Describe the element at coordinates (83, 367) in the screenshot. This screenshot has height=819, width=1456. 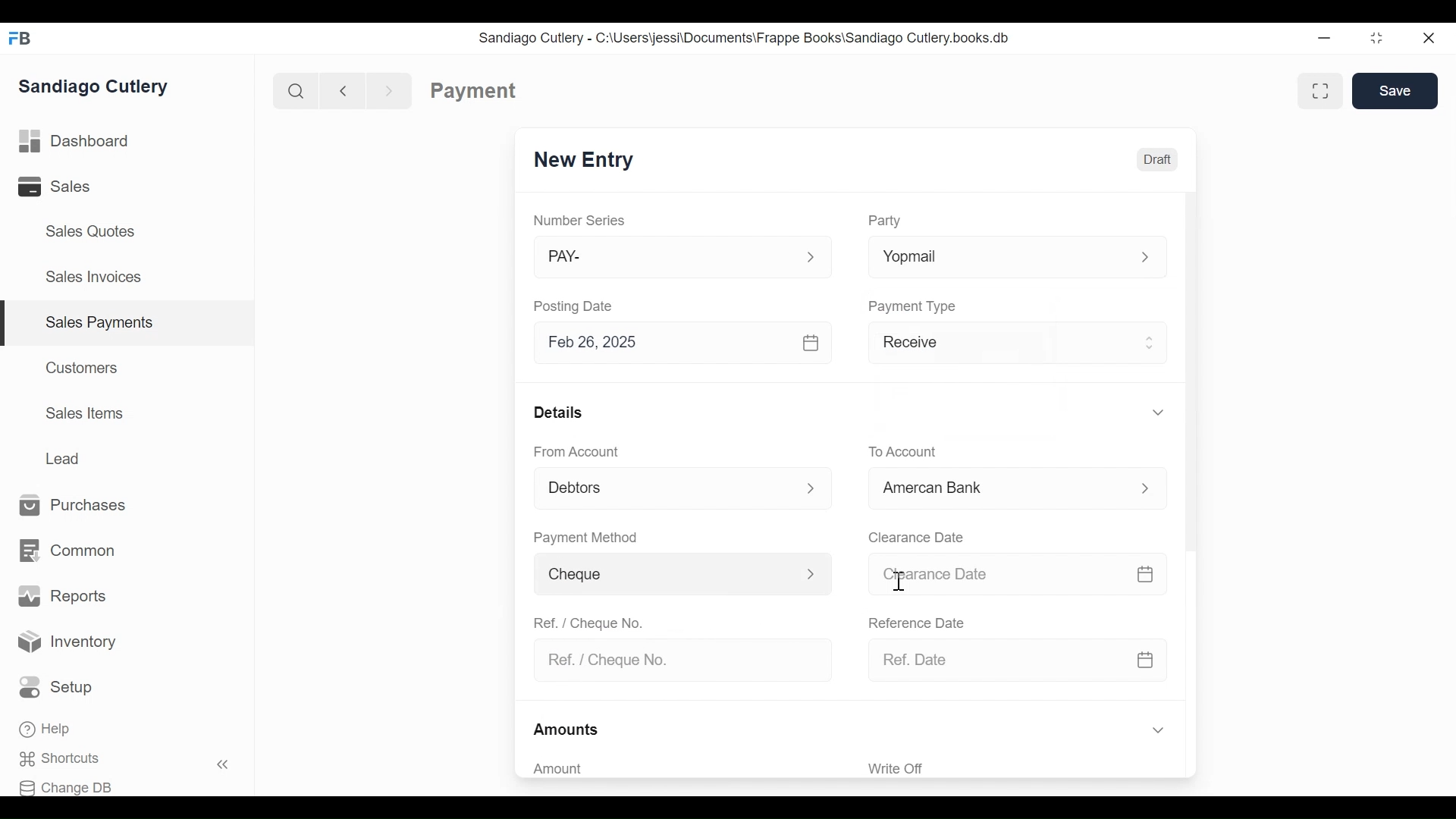
I see `Customers` at that location.